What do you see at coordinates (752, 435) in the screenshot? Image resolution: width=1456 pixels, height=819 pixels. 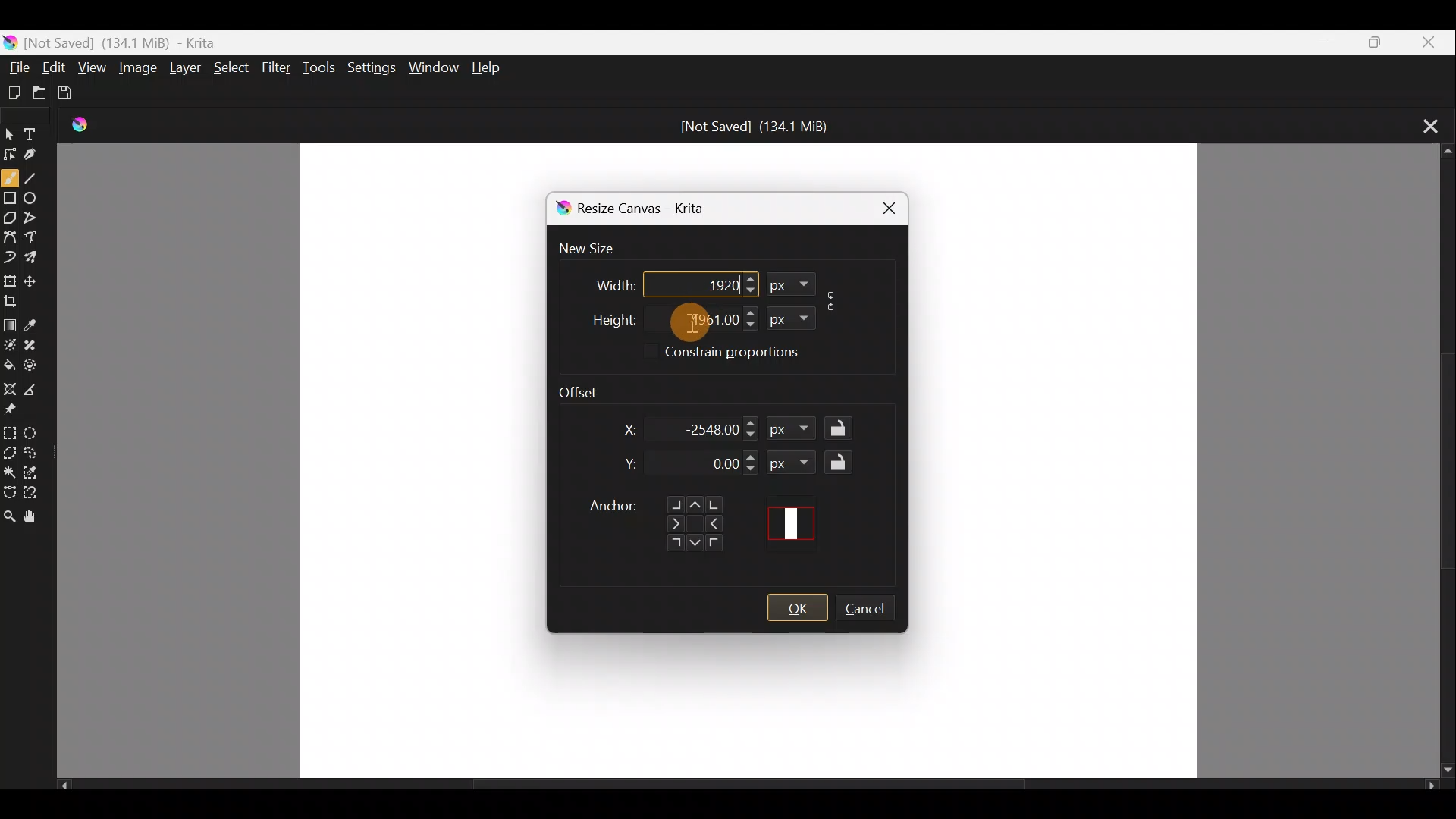 I see `Decrease X dimension` at bounding box center [752, 435].